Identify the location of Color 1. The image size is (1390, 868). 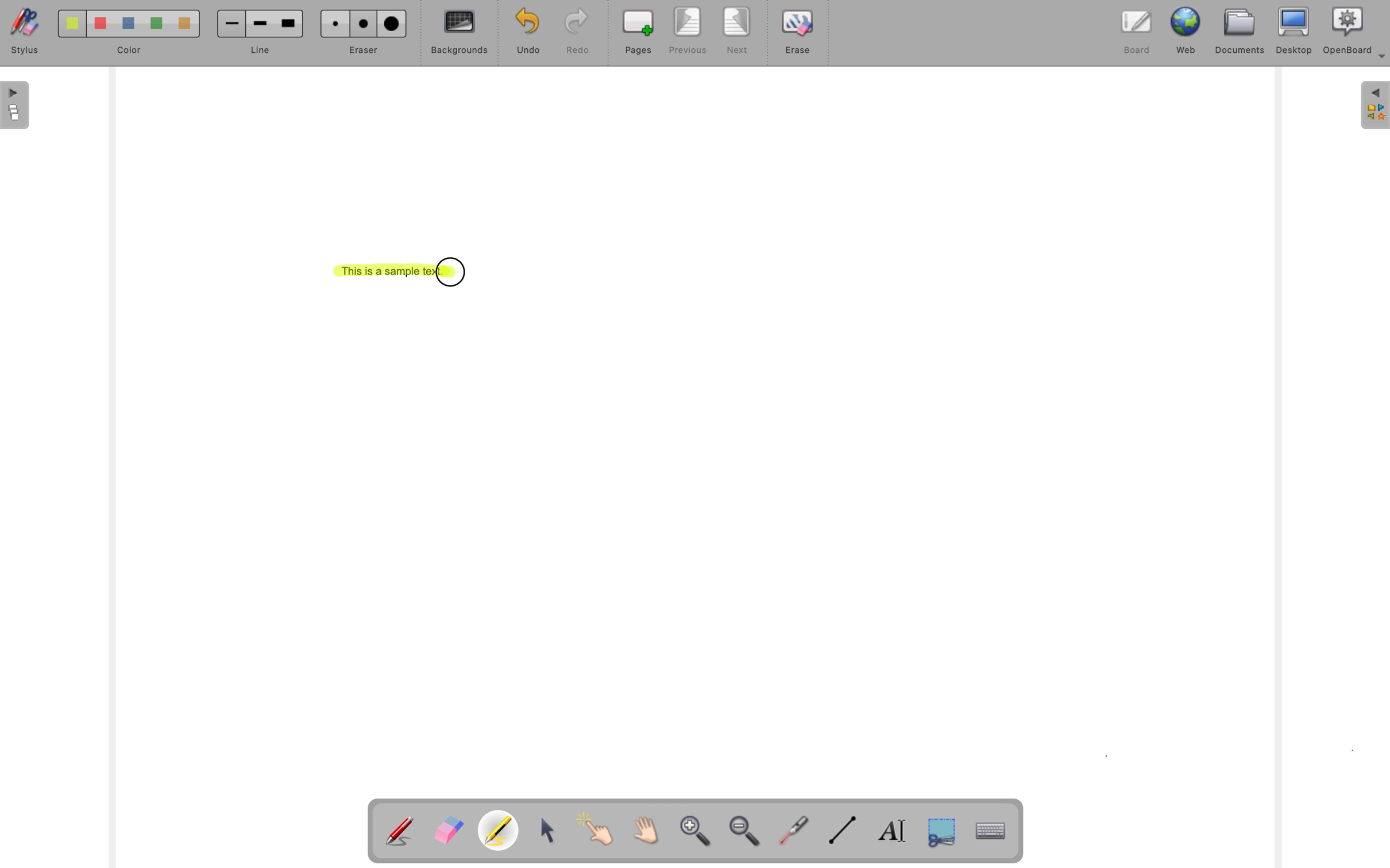
(74, 24).